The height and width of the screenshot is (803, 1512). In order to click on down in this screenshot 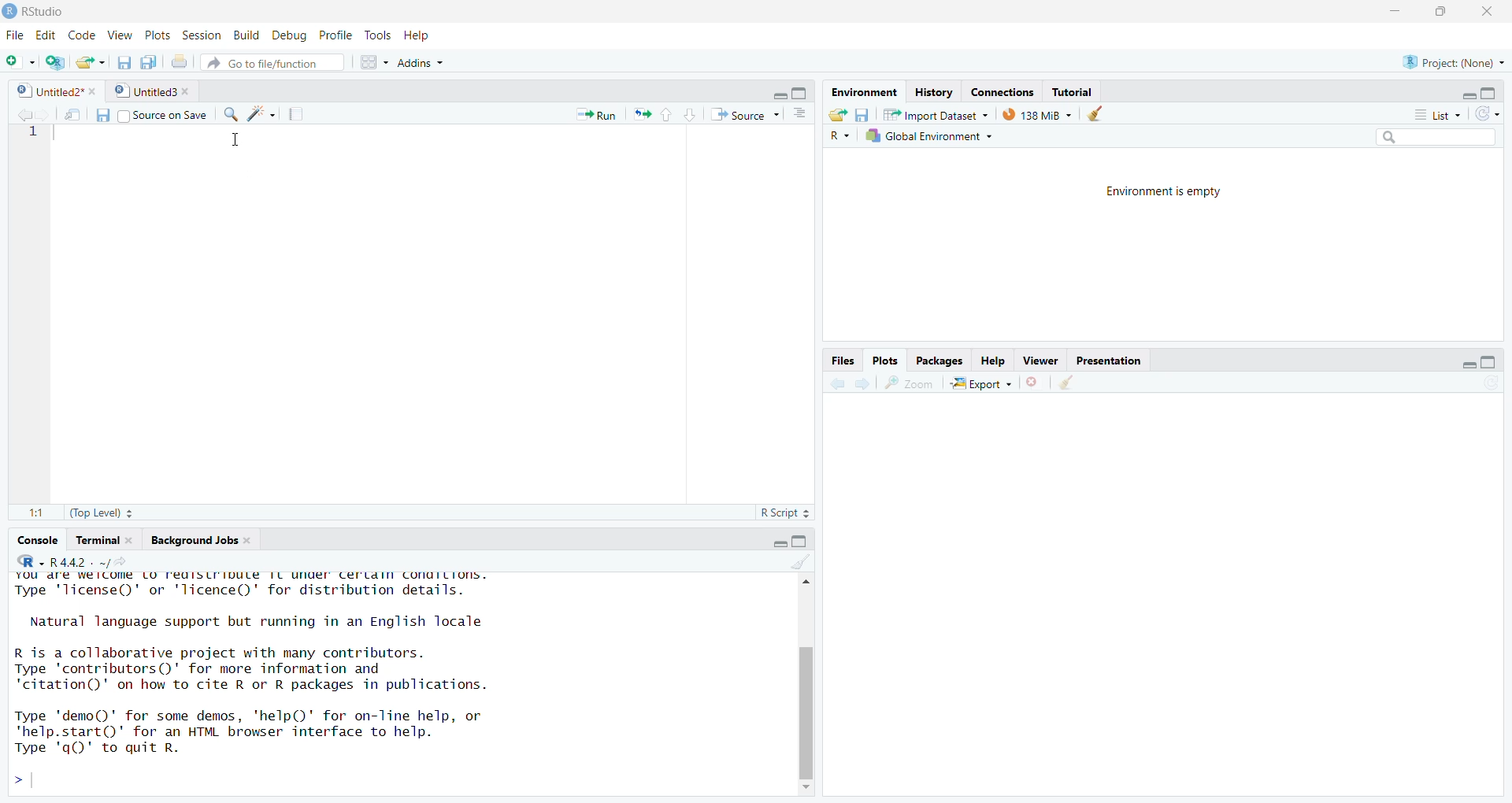, I will do `click(693, 114)`.